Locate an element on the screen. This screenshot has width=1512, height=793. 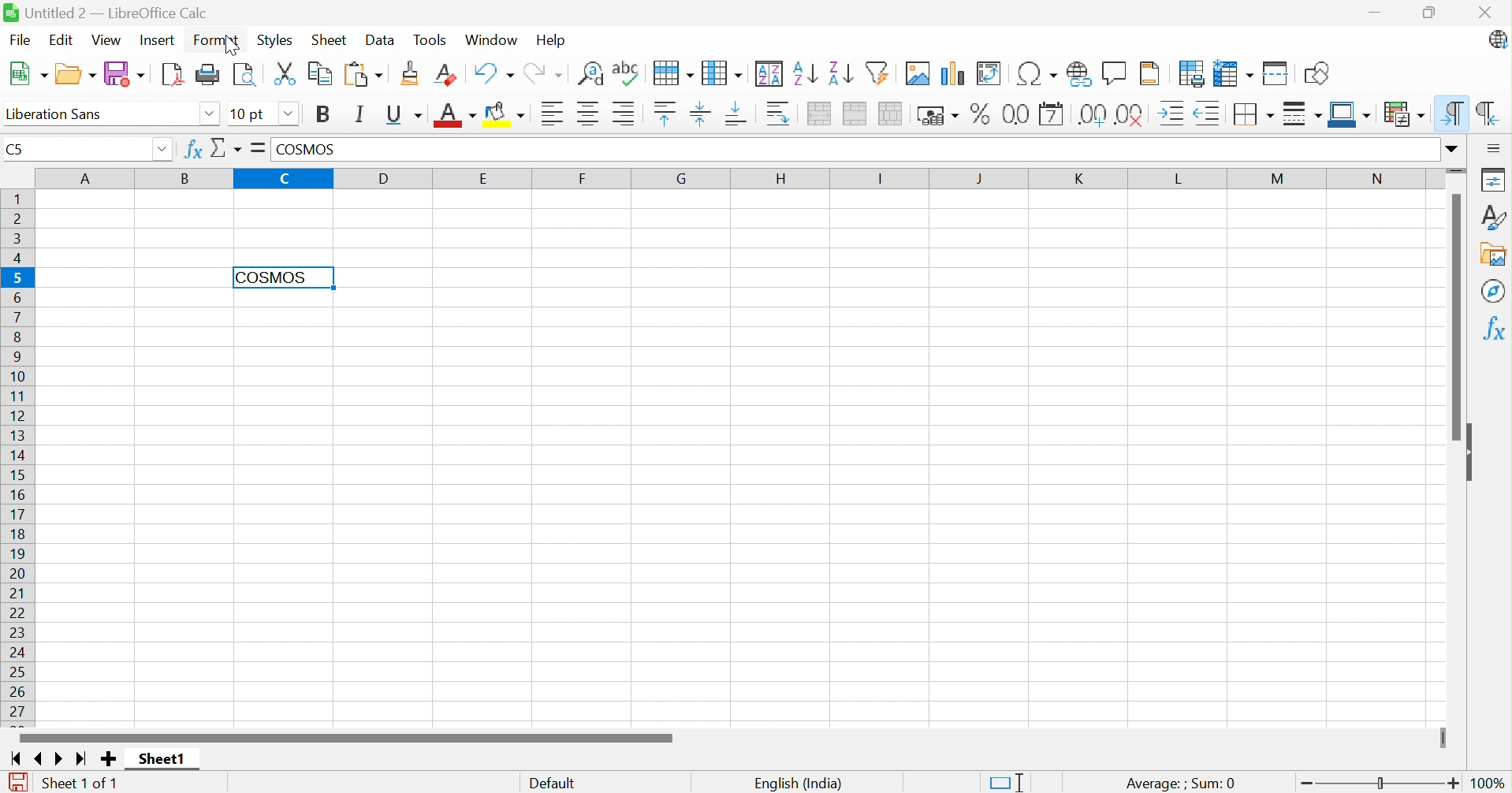
Sort Descending is located at coordinates (842, 72).